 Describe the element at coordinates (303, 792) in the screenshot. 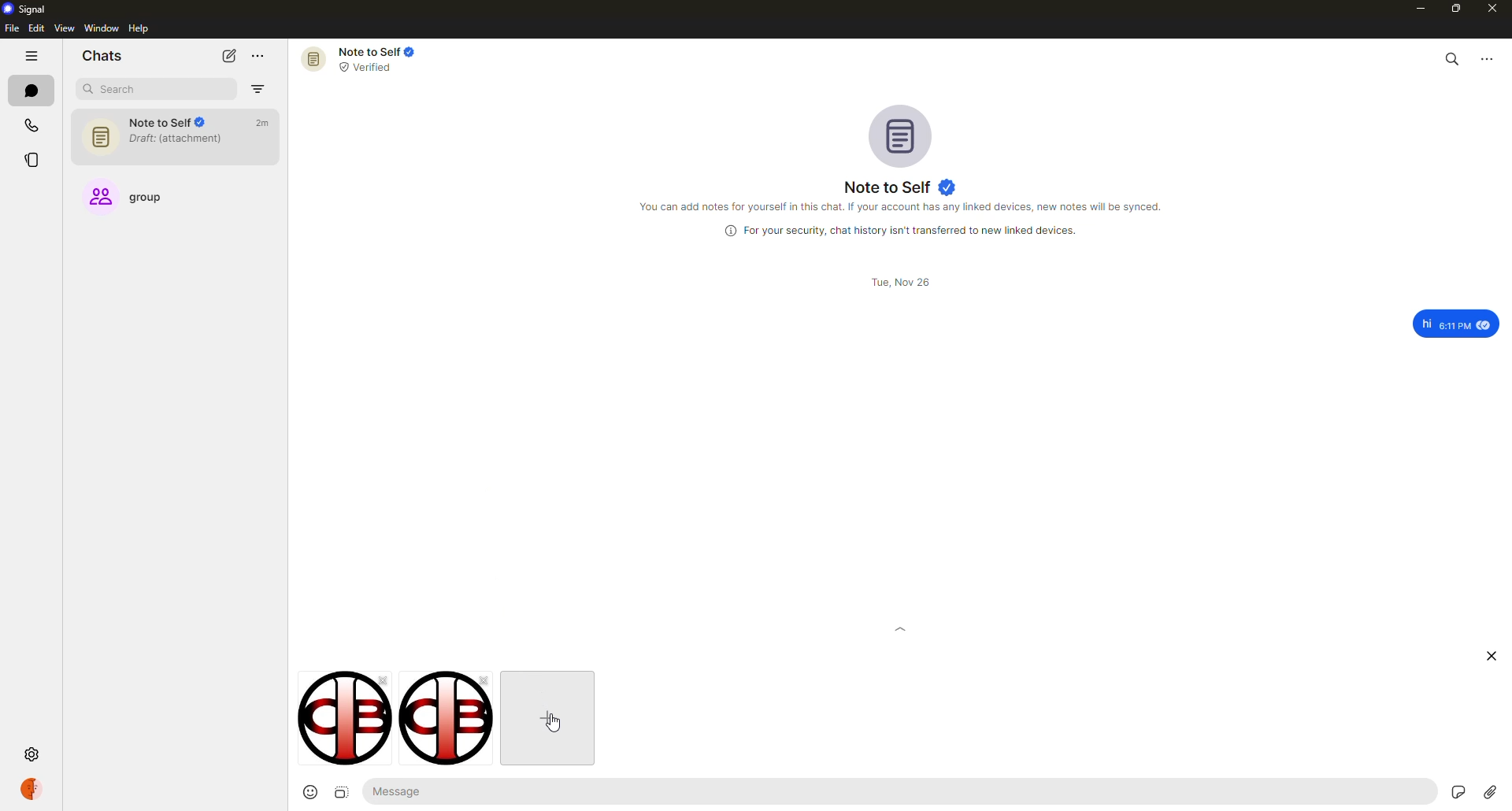

I see `emoji` at that location.